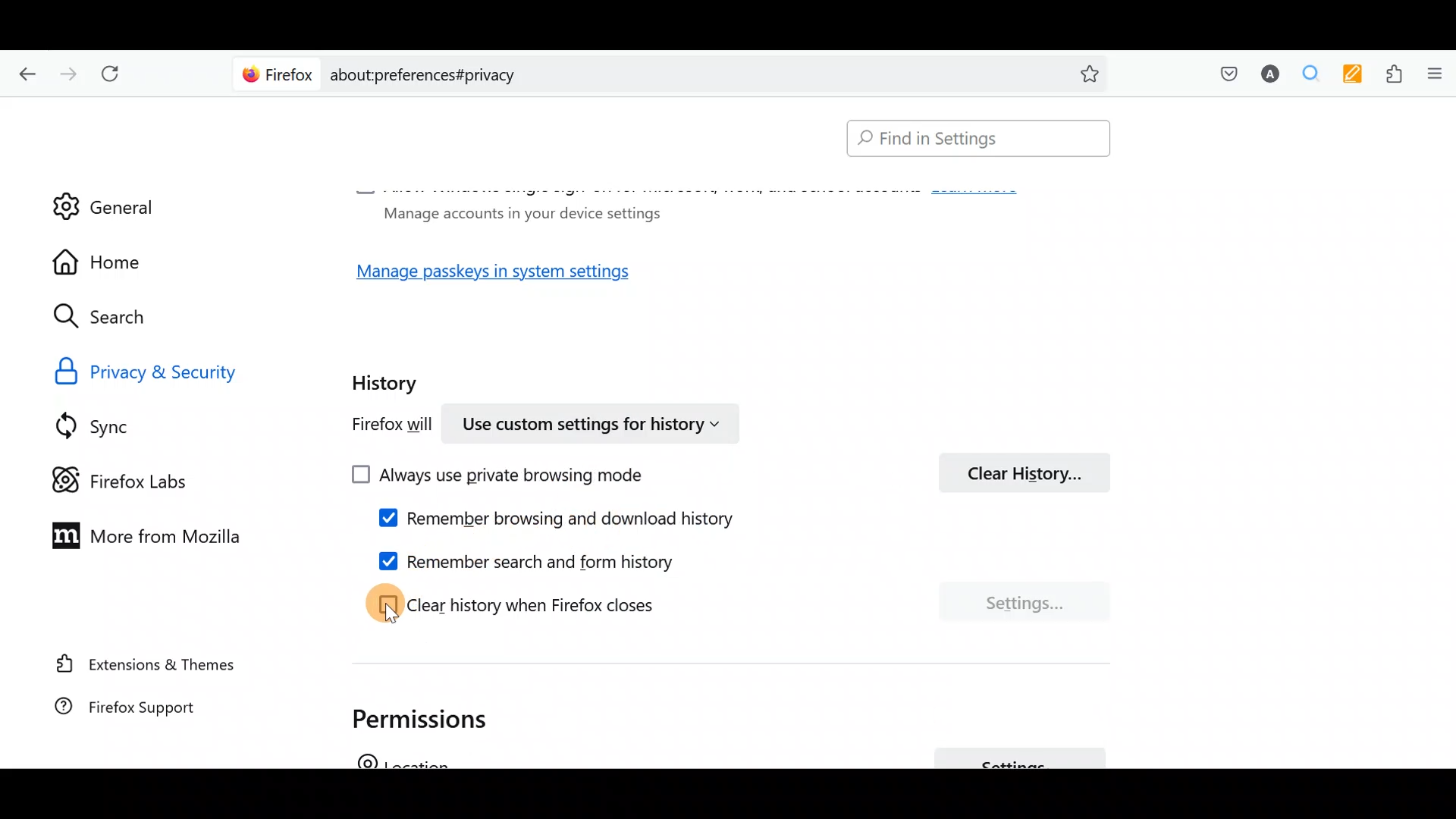 The image size is (1456, 819). I want to click on Multiple search & highlight, so click(1305, 75).